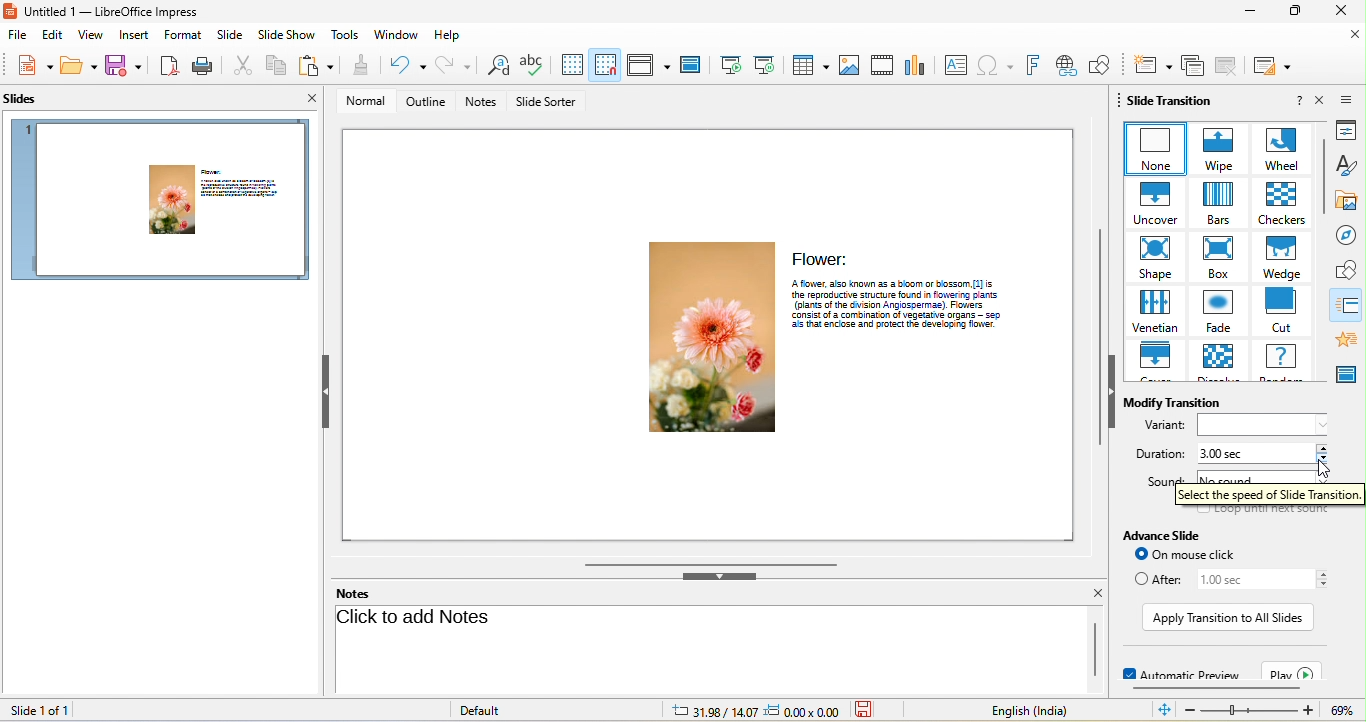 The image size is (1366, 722). What do you see at coordinates (1153, 312) in the screenshot?
I see `venetian` at bounding box center [1153, 312].